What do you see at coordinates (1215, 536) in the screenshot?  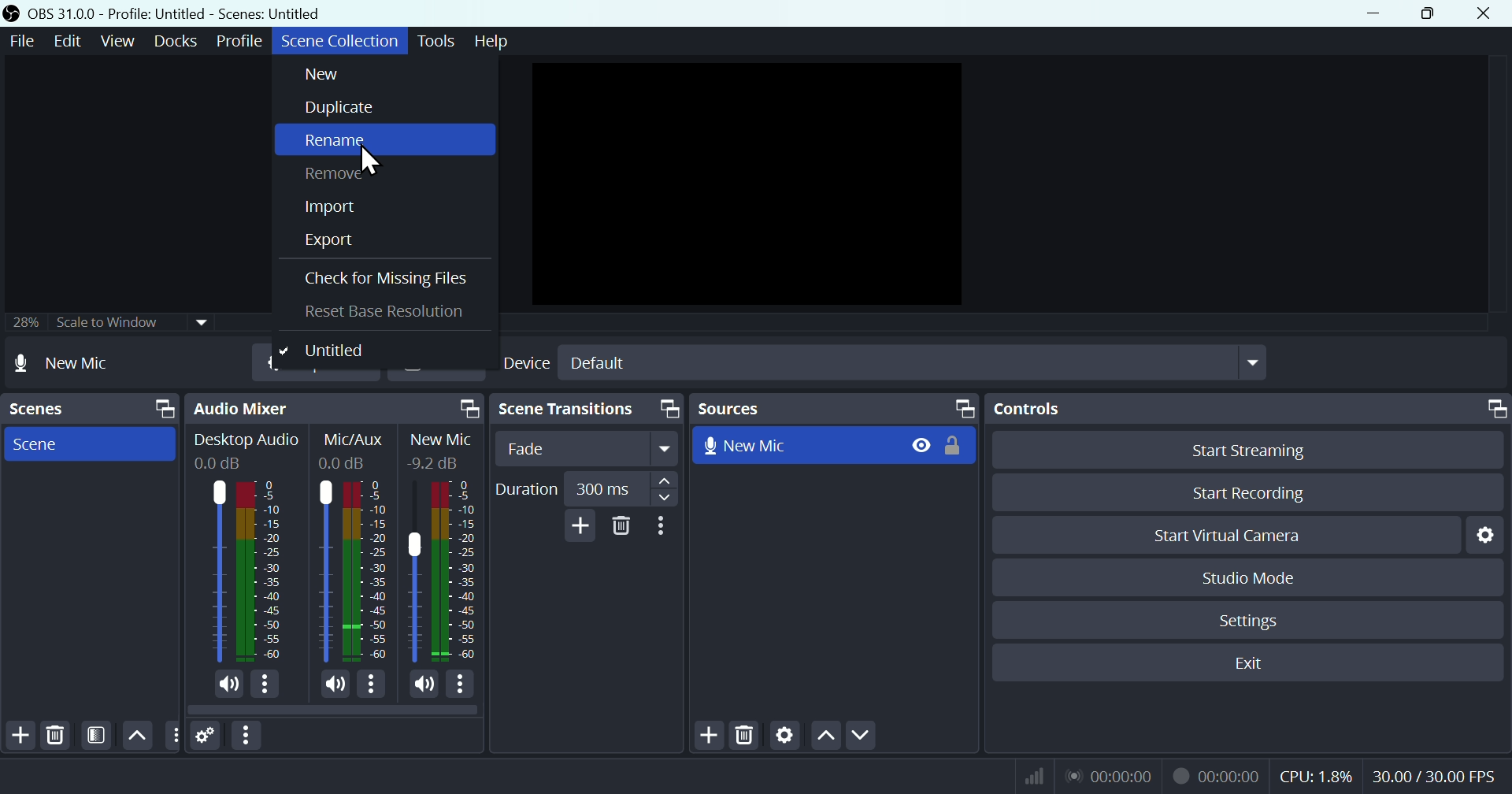 I see `start virtual camera` at bounding box center [1215, 536].